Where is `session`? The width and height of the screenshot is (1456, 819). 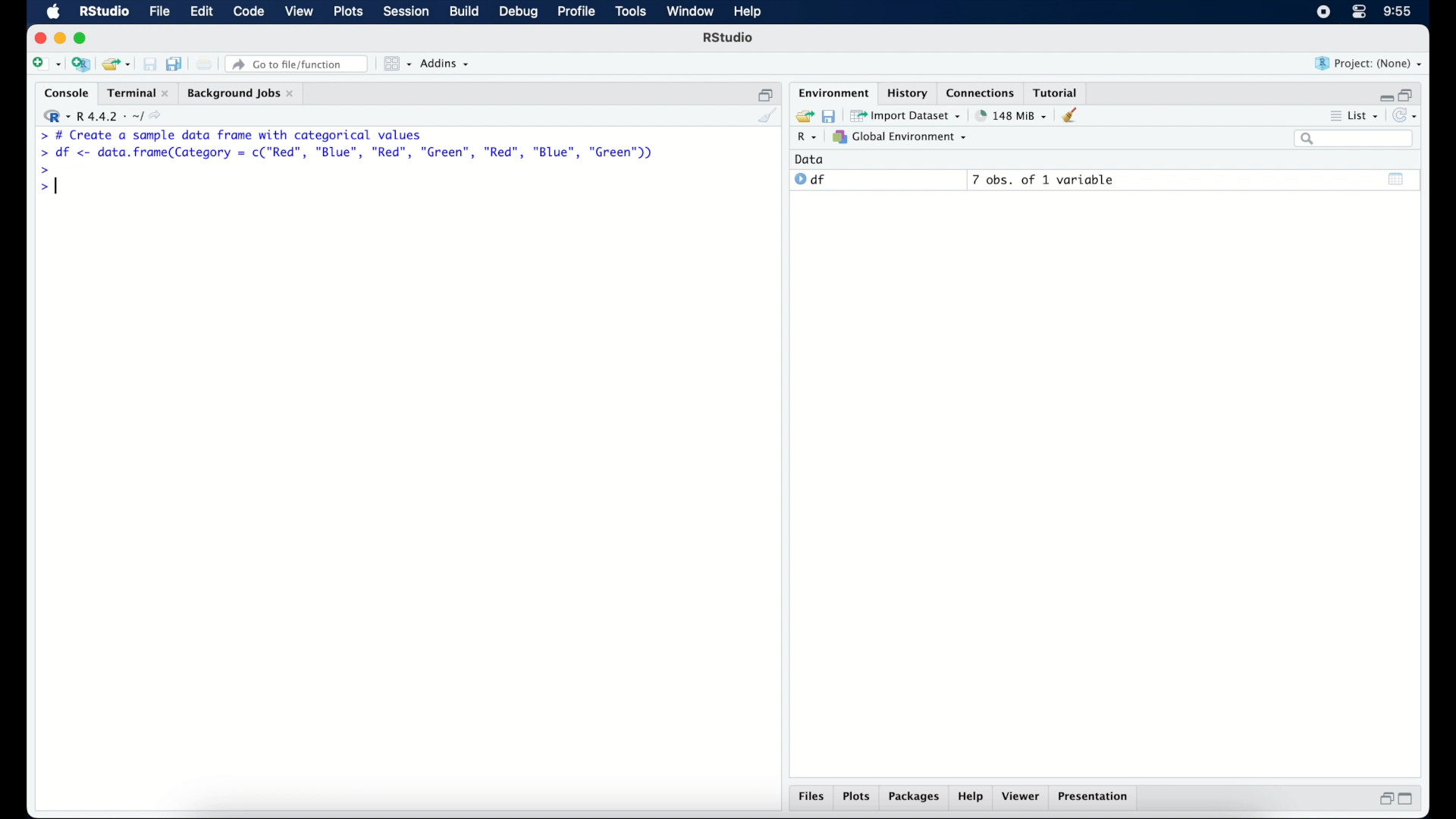 session is located at coordinates (406, 12).